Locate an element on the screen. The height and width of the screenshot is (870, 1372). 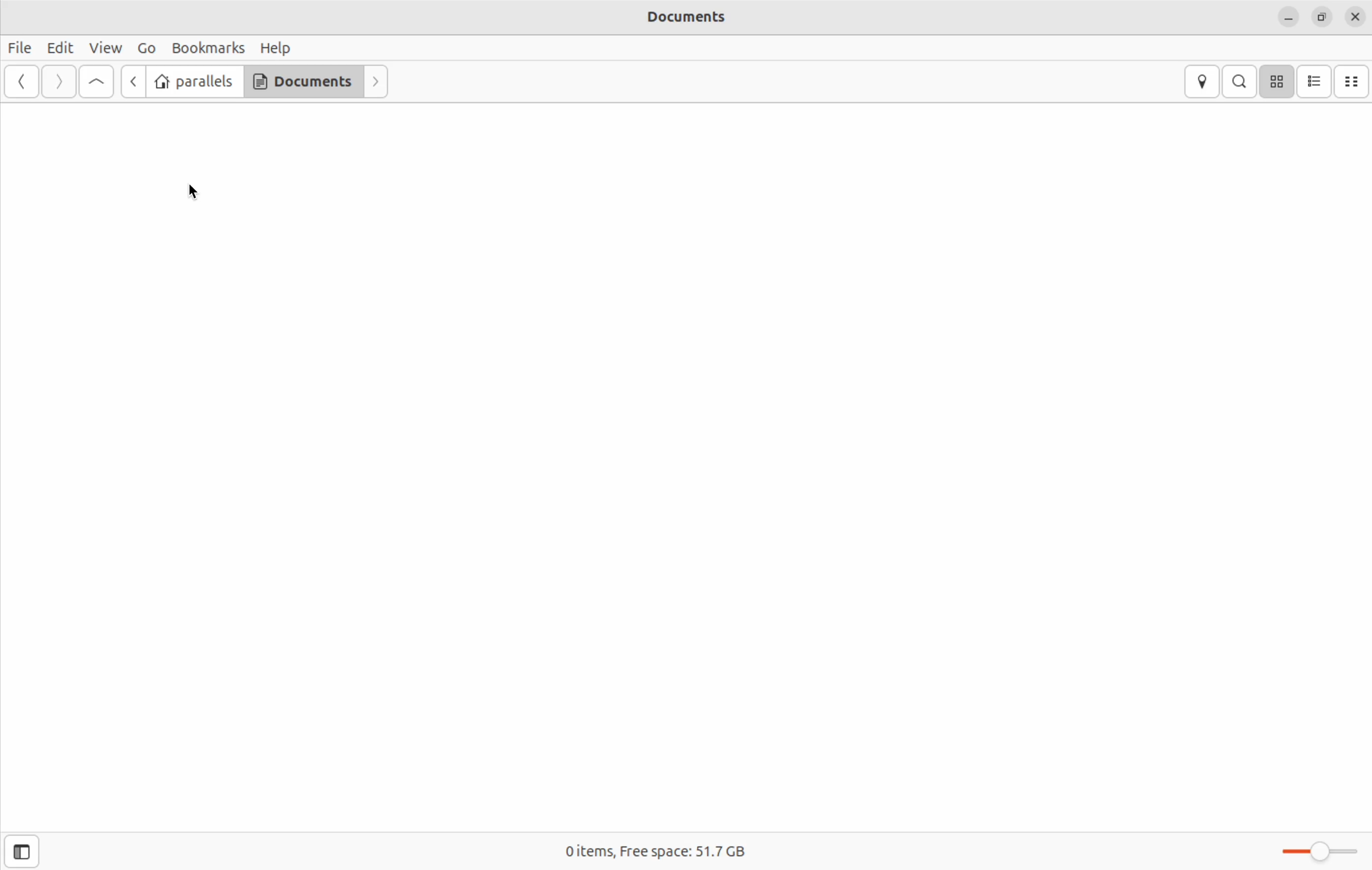
parallels is located at coordinates (196, 80).